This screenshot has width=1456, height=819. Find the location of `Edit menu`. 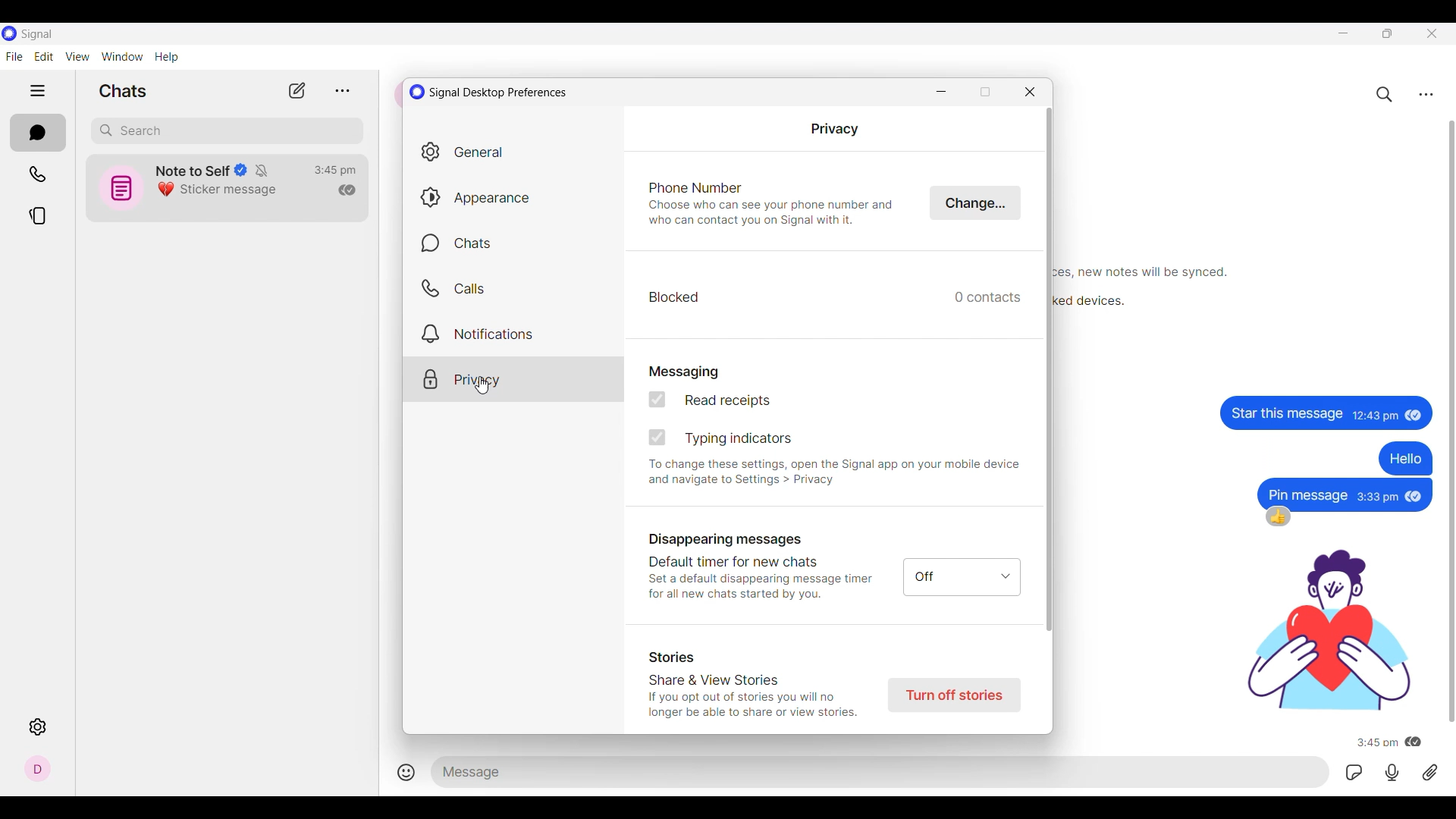

Edit menu is located at coordinates (45, 57).